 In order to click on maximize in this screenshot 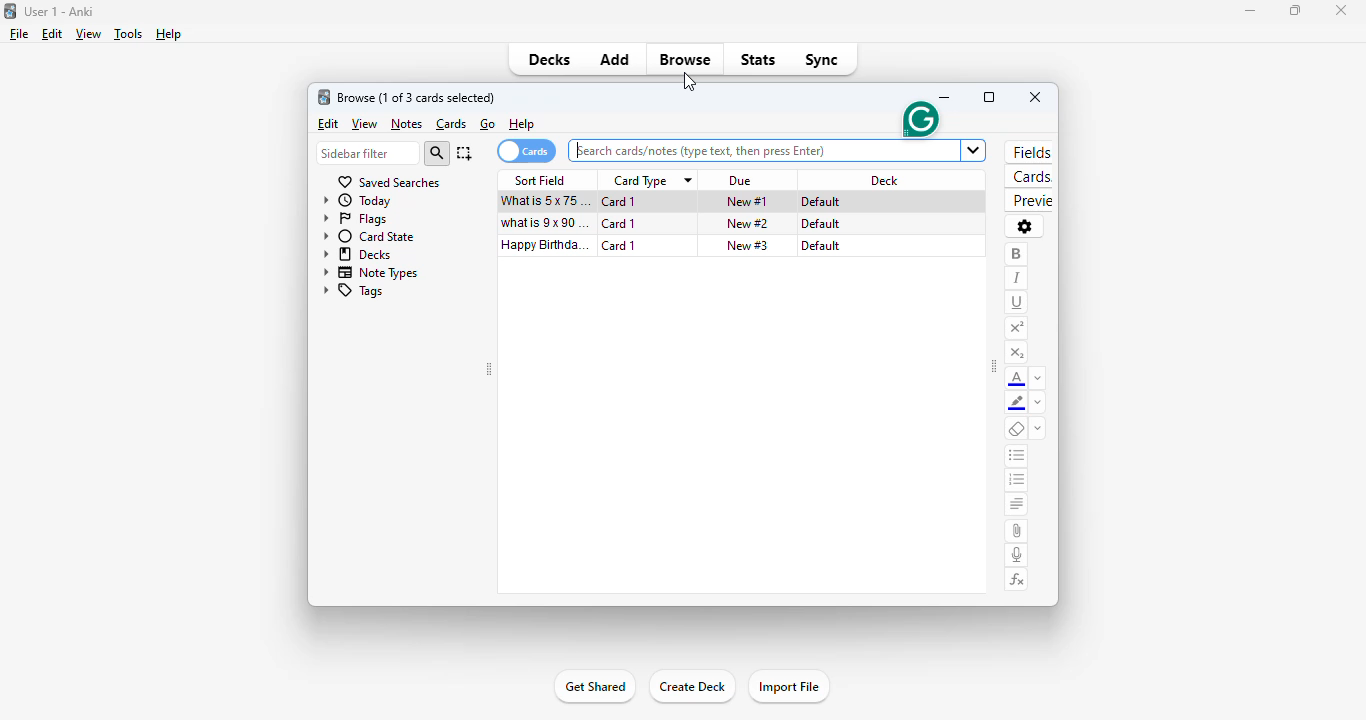, I will do `click(989, 97)`.